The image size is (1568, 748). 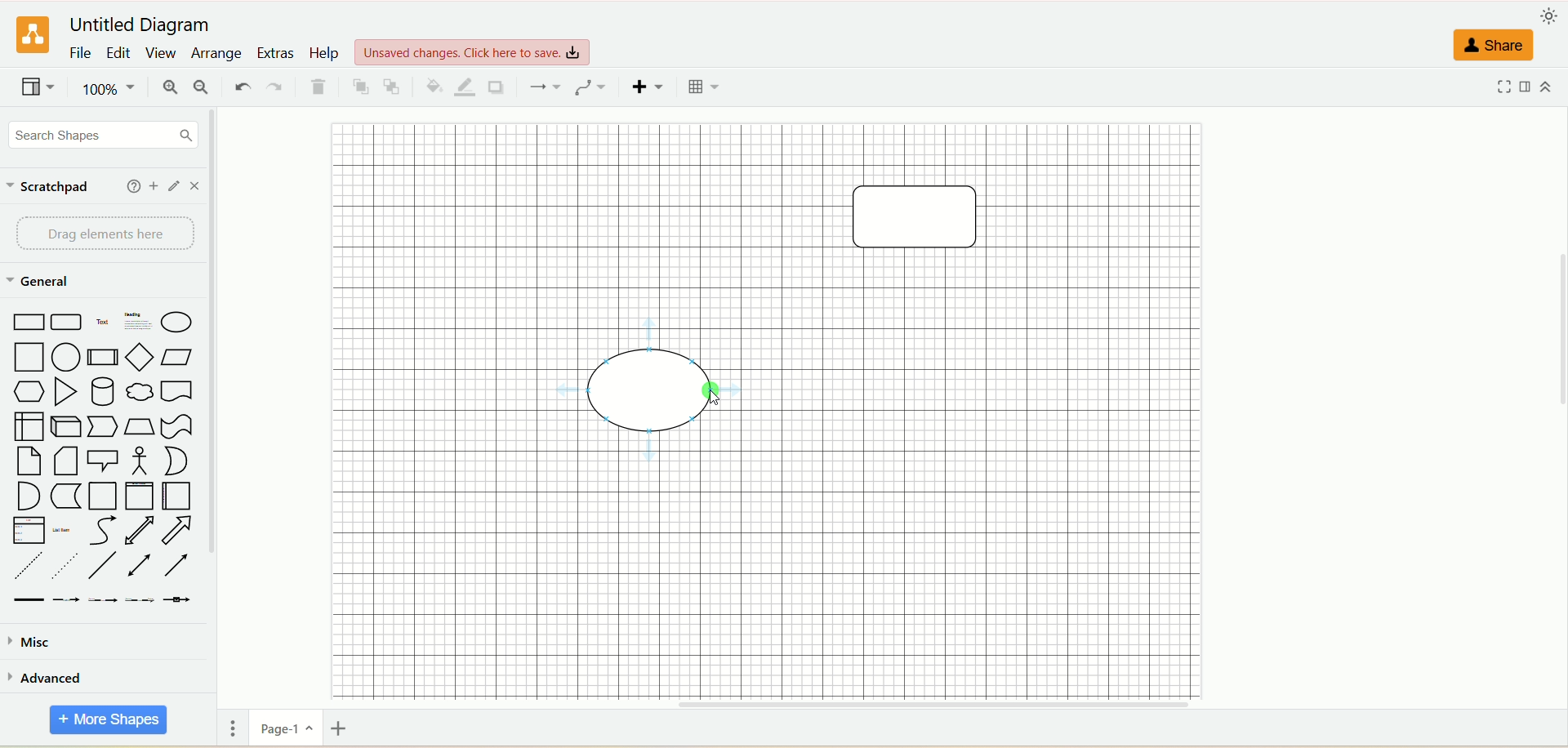 What do you see at coordinates (195, 186) in the screenshot?
I see `close` at bounding box center [195, 186].